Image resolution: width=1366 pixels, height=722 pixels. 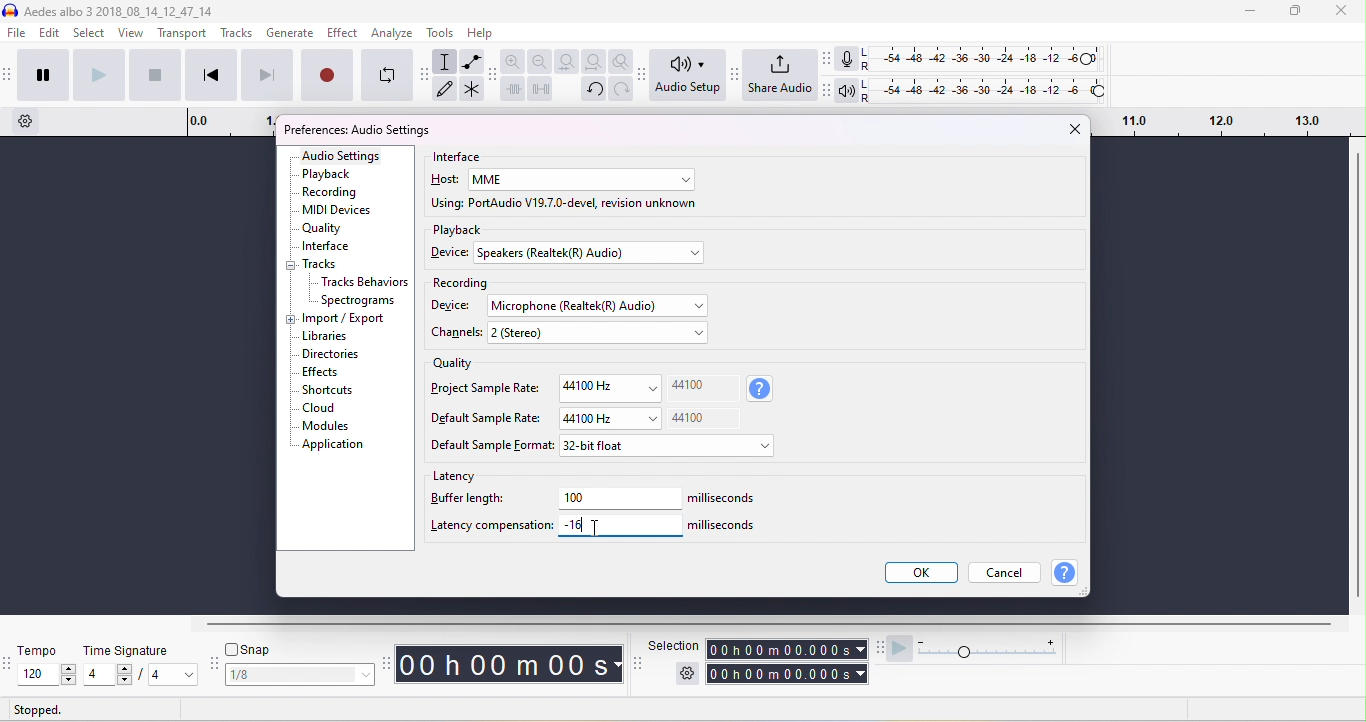 What do you see at coordinates (154, 74) in the screenshot?
I see `stop` at bounding box center [154, 74].